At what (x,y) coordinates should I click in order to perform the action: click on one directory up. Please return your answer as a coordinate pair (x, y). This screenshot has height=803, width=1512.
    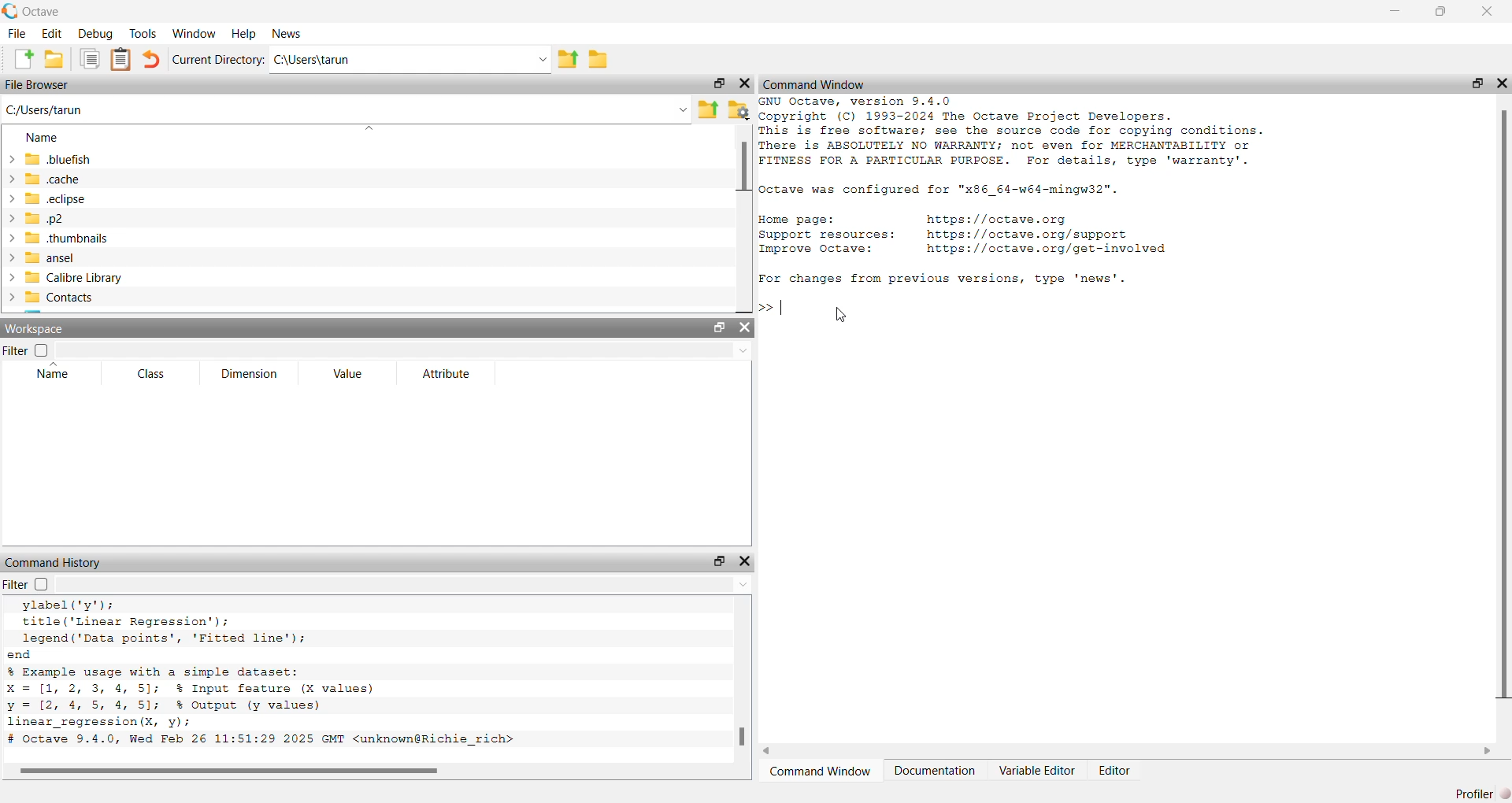
    Looking at the image, I should click on (567, 60).